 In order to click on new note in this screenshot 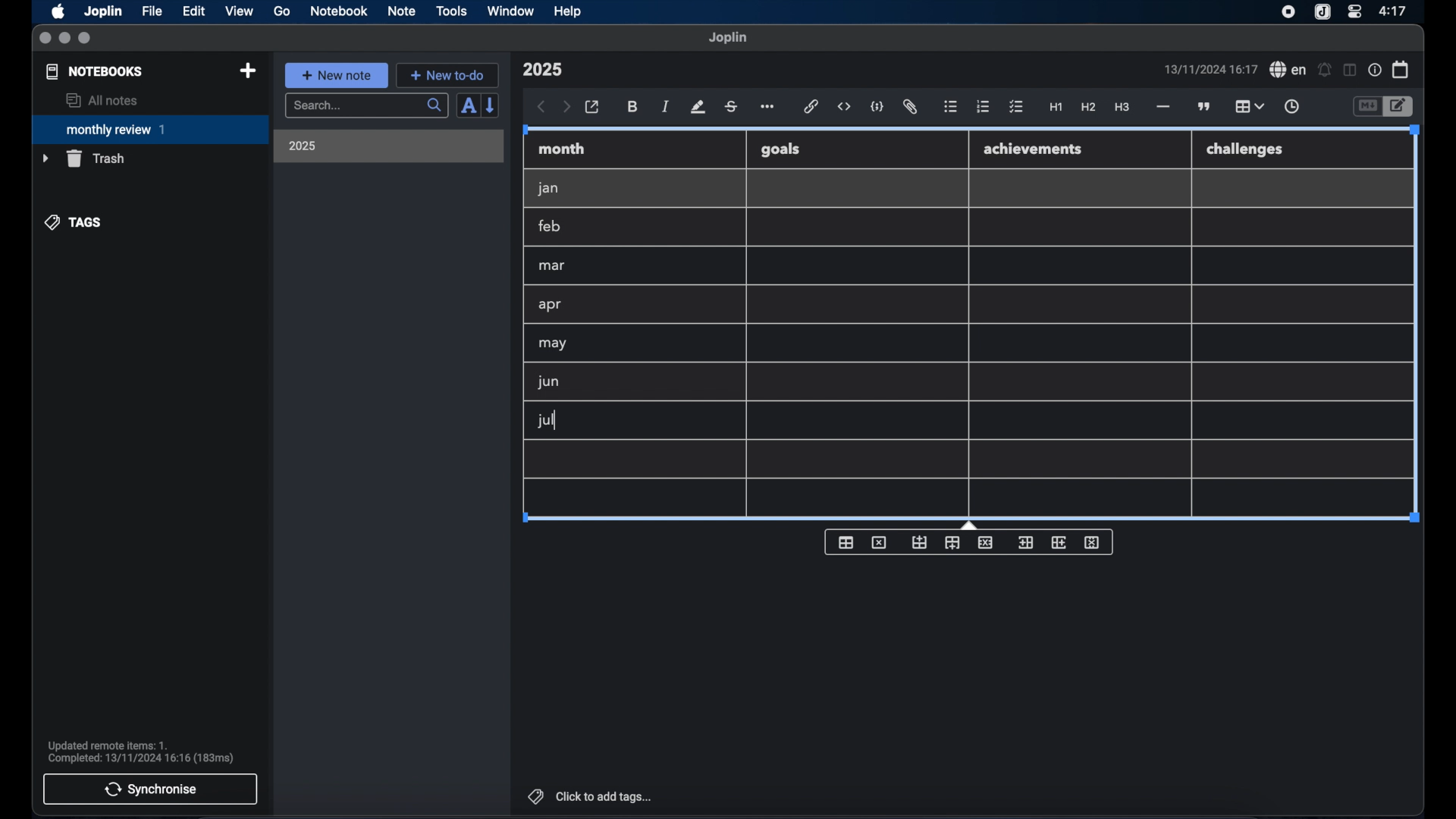, I will do `click(336, 75)`.